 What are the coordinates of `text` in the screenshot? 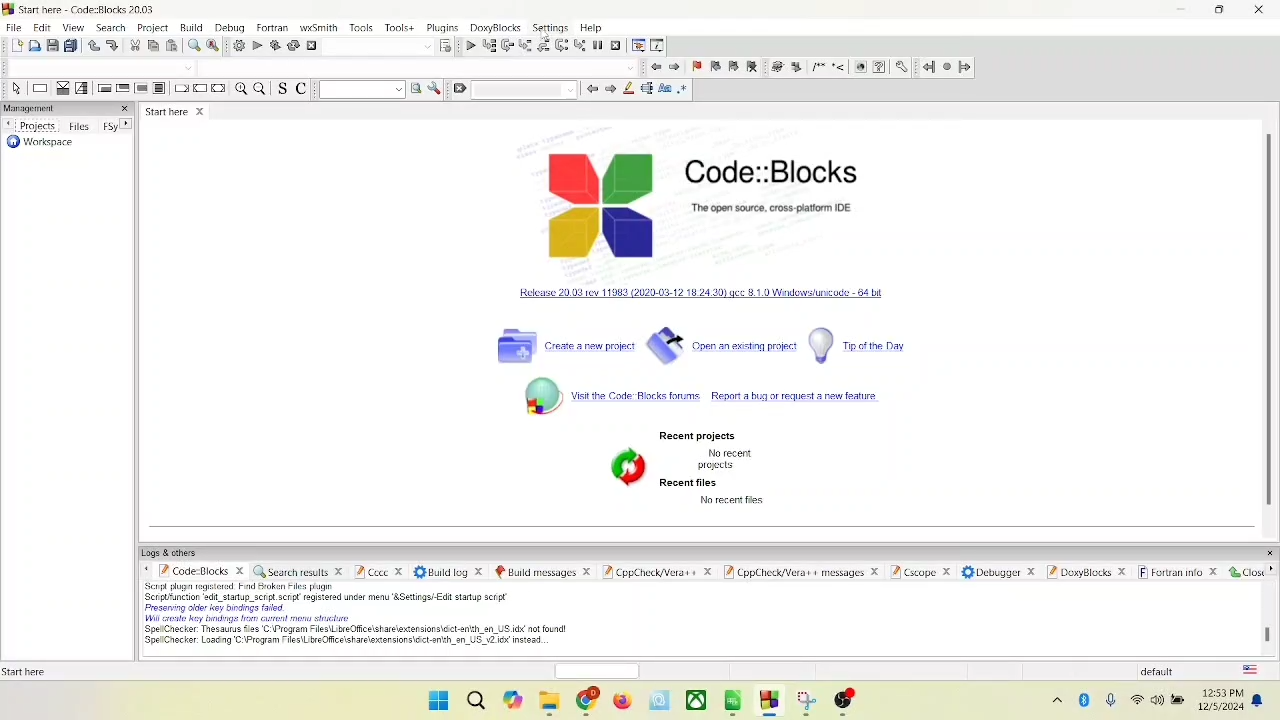 It's located at (731, 502).